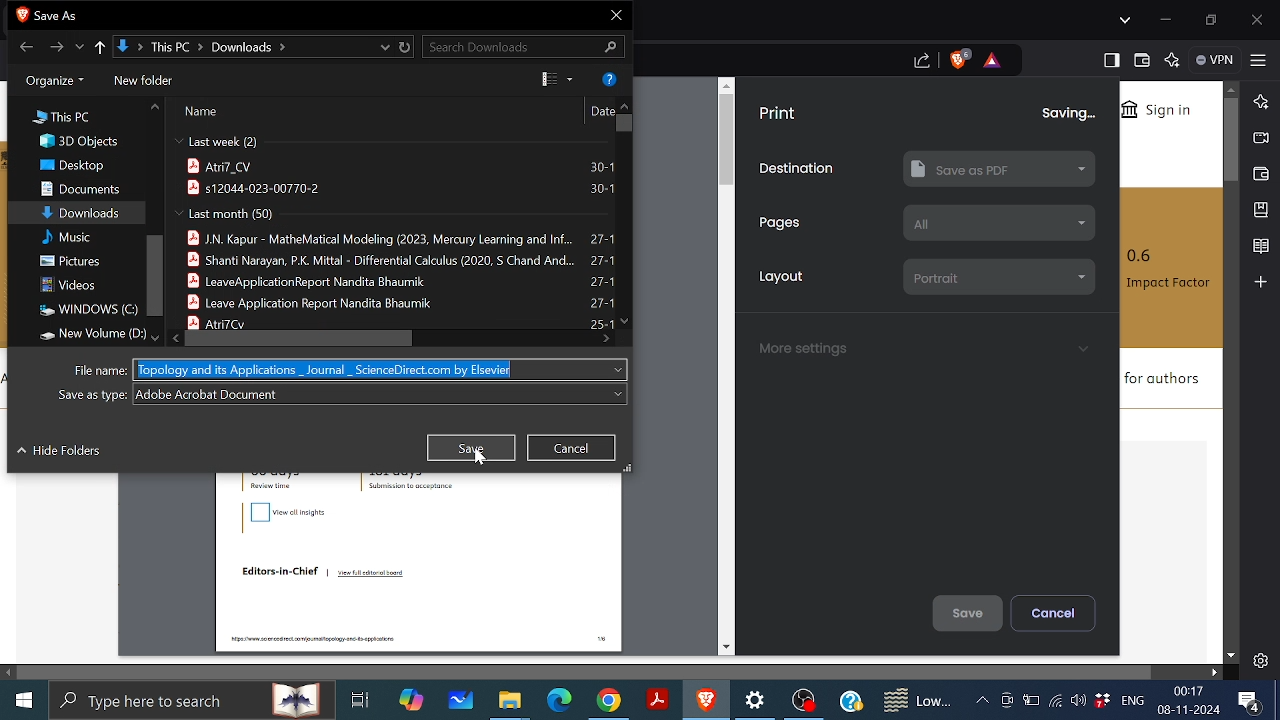 The height and width of the screenshot is (720, 1280). What do you see at coordinates (996, 61) in the screenshot?
I see `brave rewards` at bounding box center [996, 61].